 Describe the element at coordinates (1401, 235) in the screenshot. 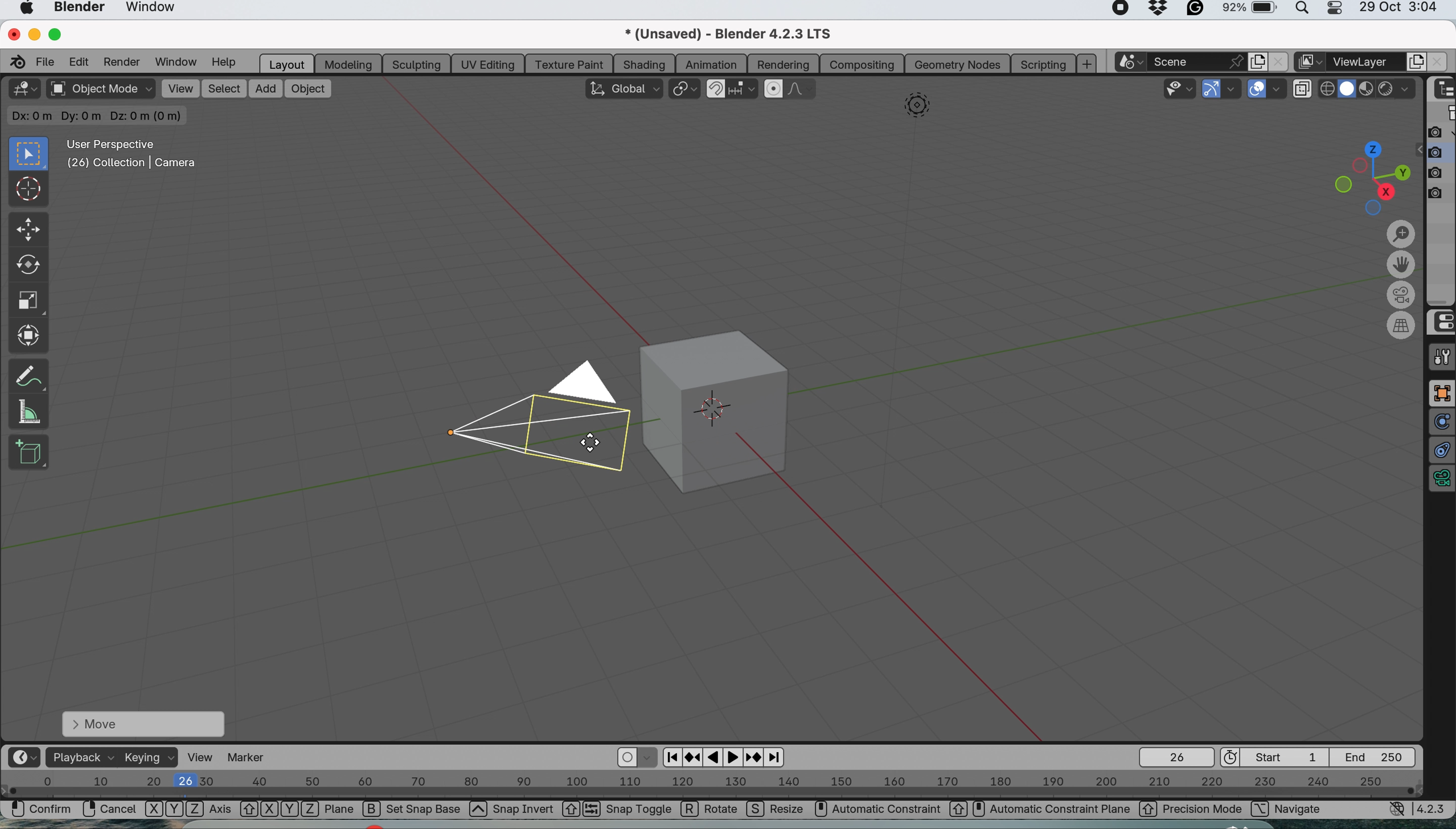

I see `zoom in-out` at that location.